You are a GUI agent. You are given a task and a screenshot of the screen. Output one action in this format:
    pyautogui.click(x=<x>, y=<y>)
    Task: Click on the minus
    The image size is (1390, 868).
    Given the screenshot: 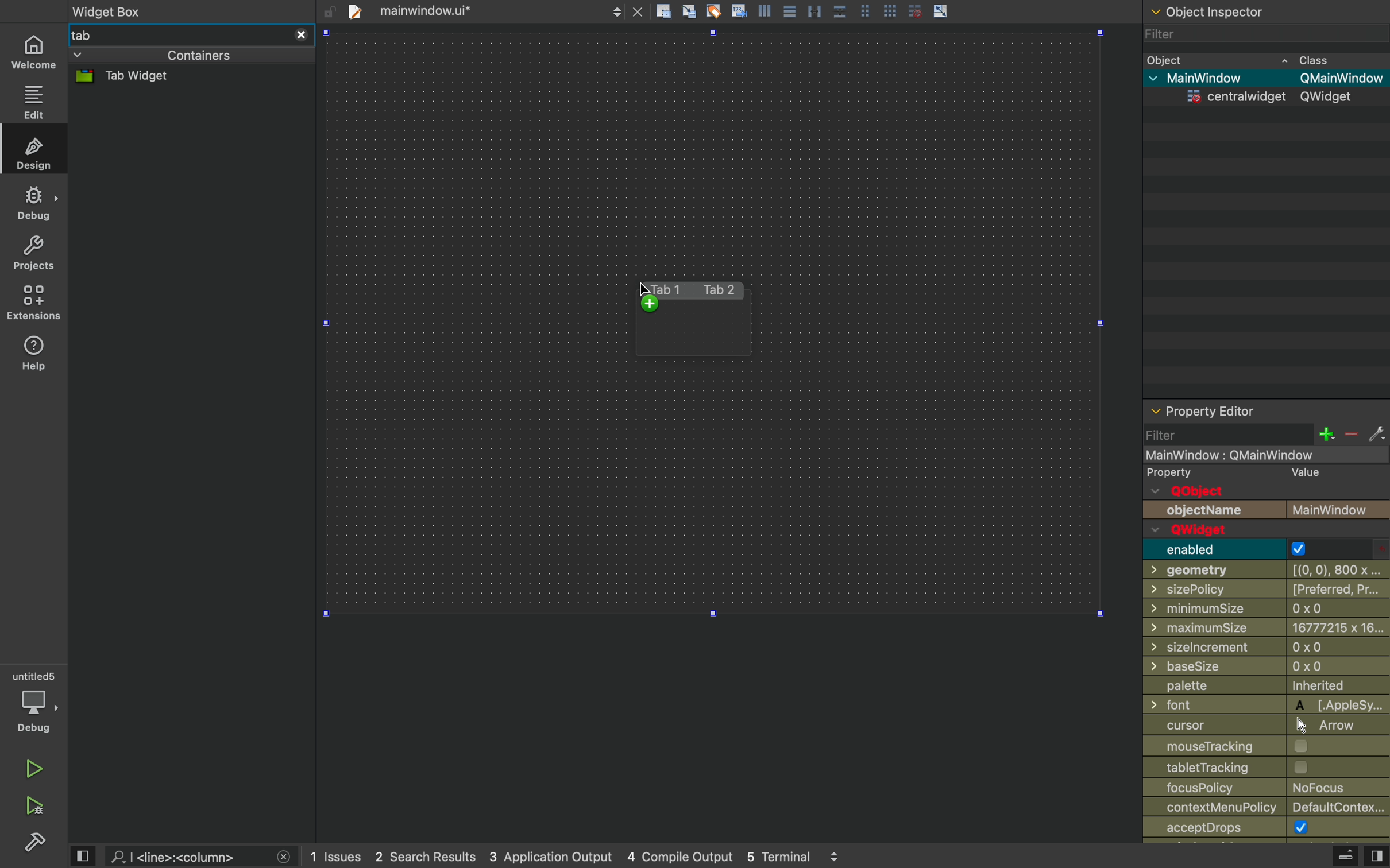 What is the action you would take?
    pyautogui.click(x=1350, y=435)
    